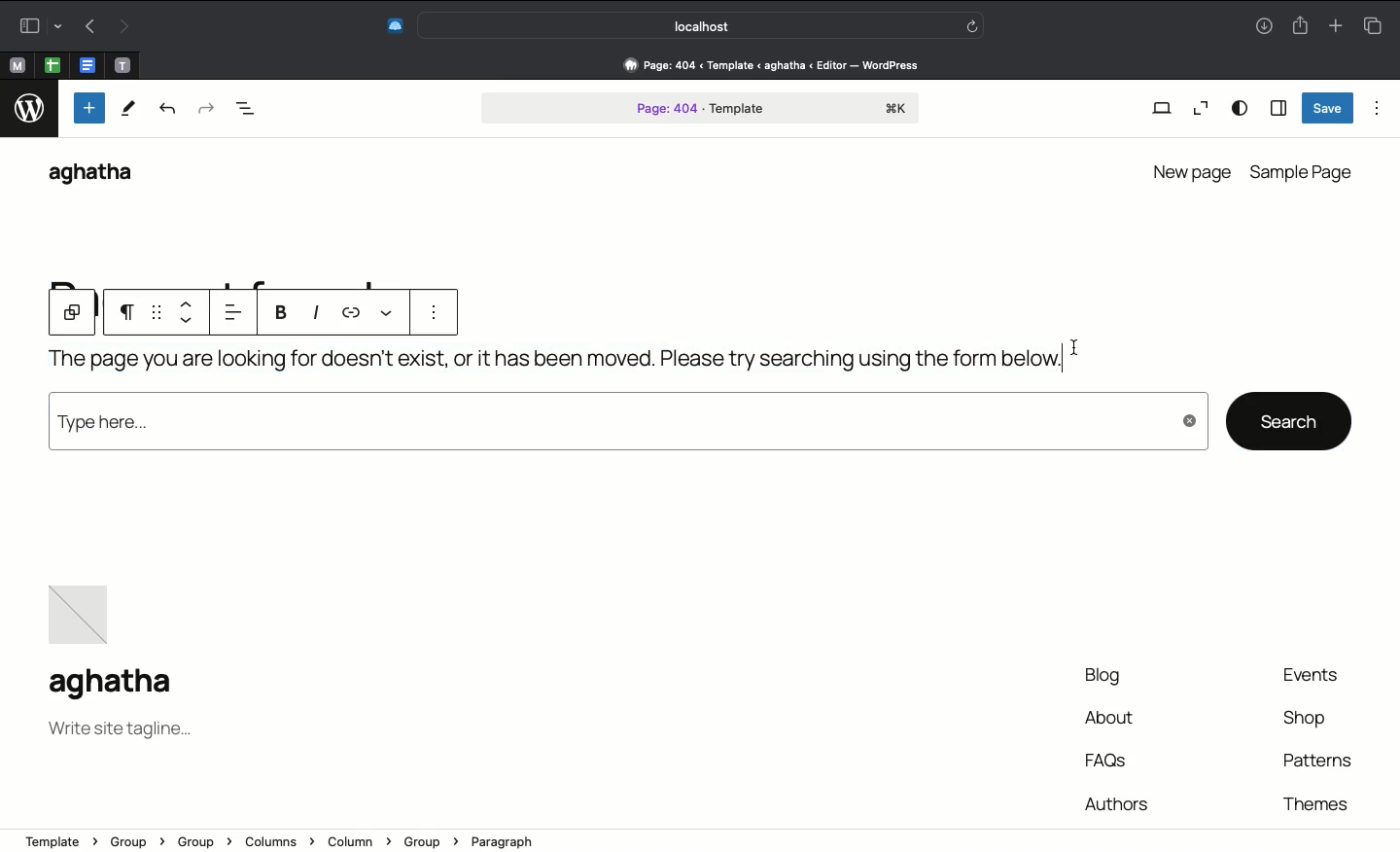 Image resolution: width=1400 pixels, height=852 pixels. Describe the element at coordinates (246, 111) in the screenshot. I see `Document overview` at that location.